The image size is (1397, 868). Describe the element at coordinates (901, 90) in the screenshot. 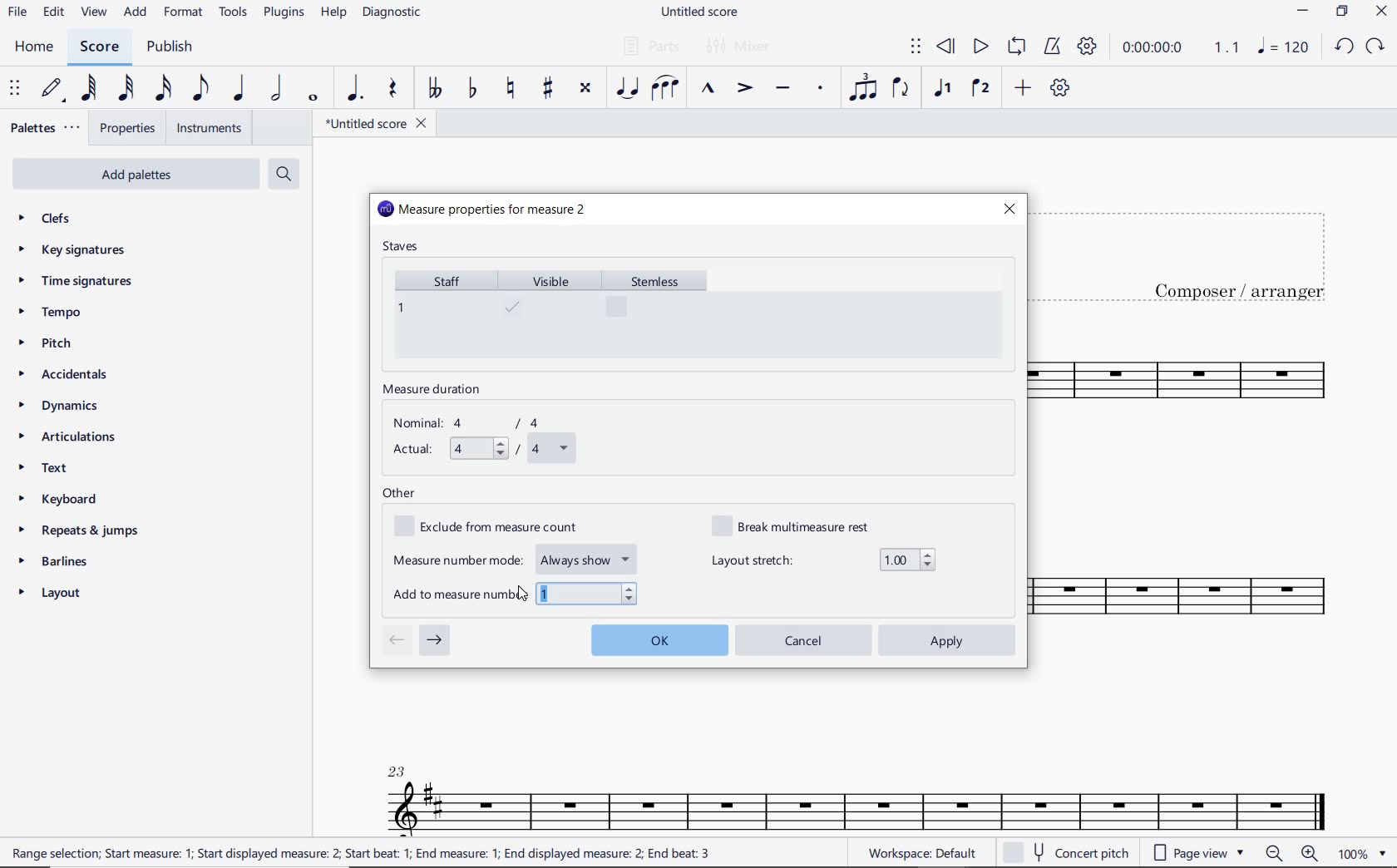

I see `FLIP DIRECTION` at that location.